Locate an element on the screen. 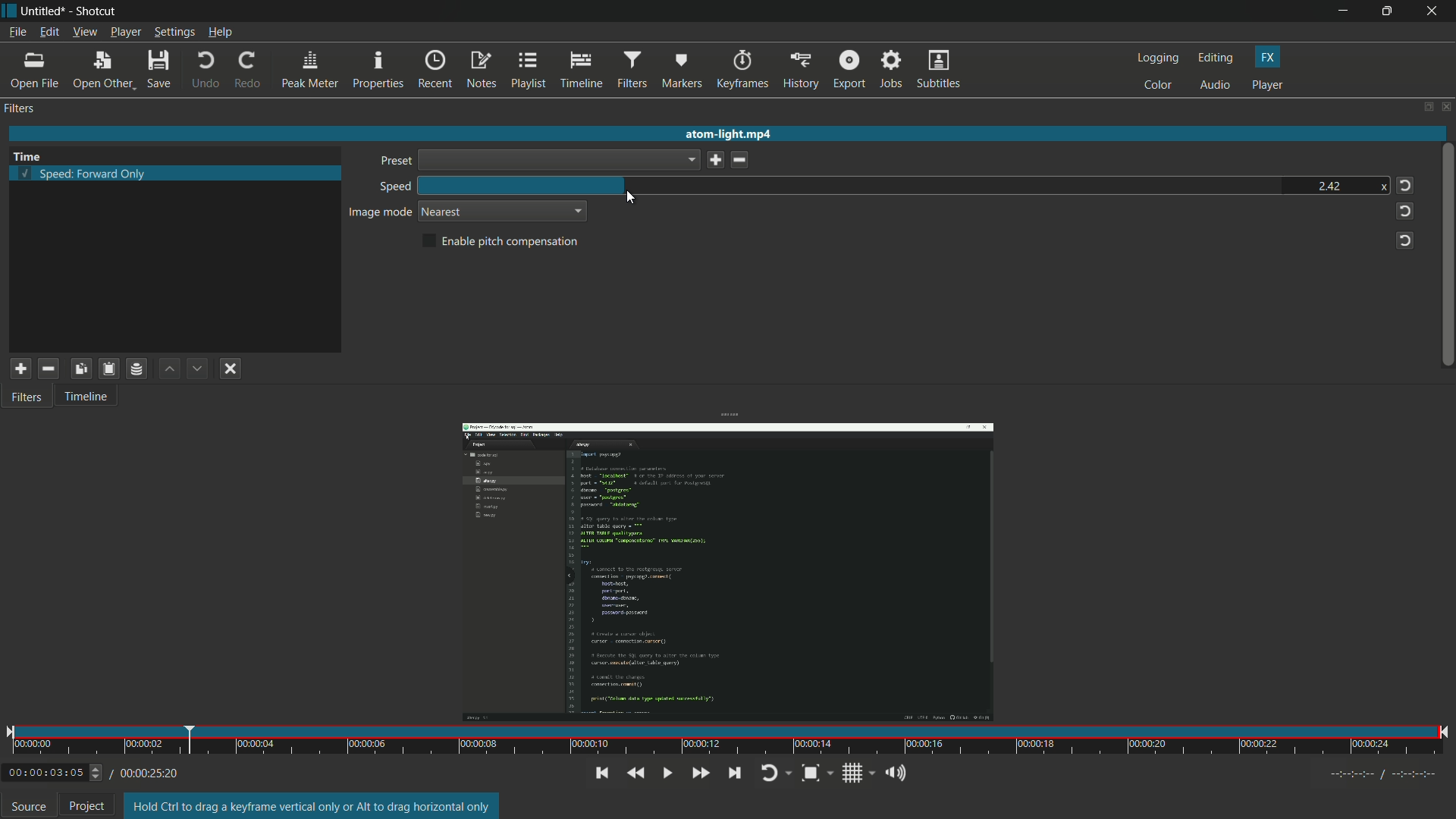  speed forward only is located at coordinates (89, 174).